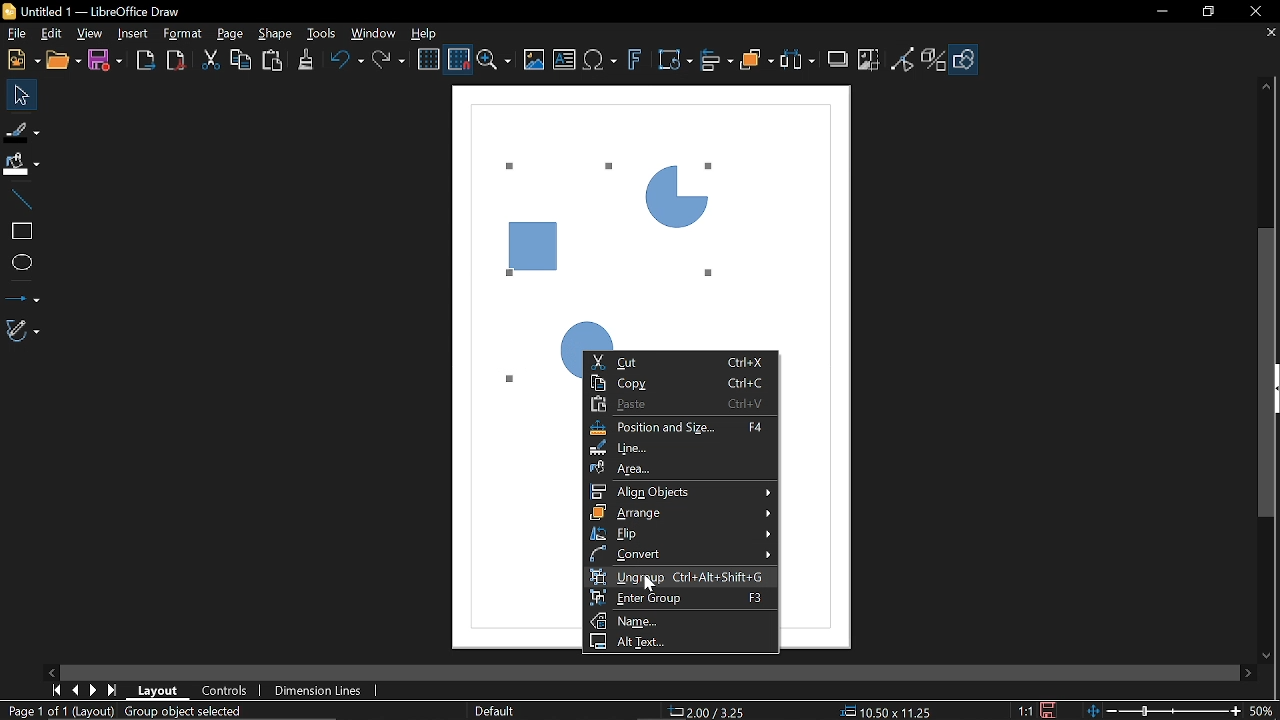 This screenshot has height=720, width=1280. I want to click on cursor, so click(648, 585).